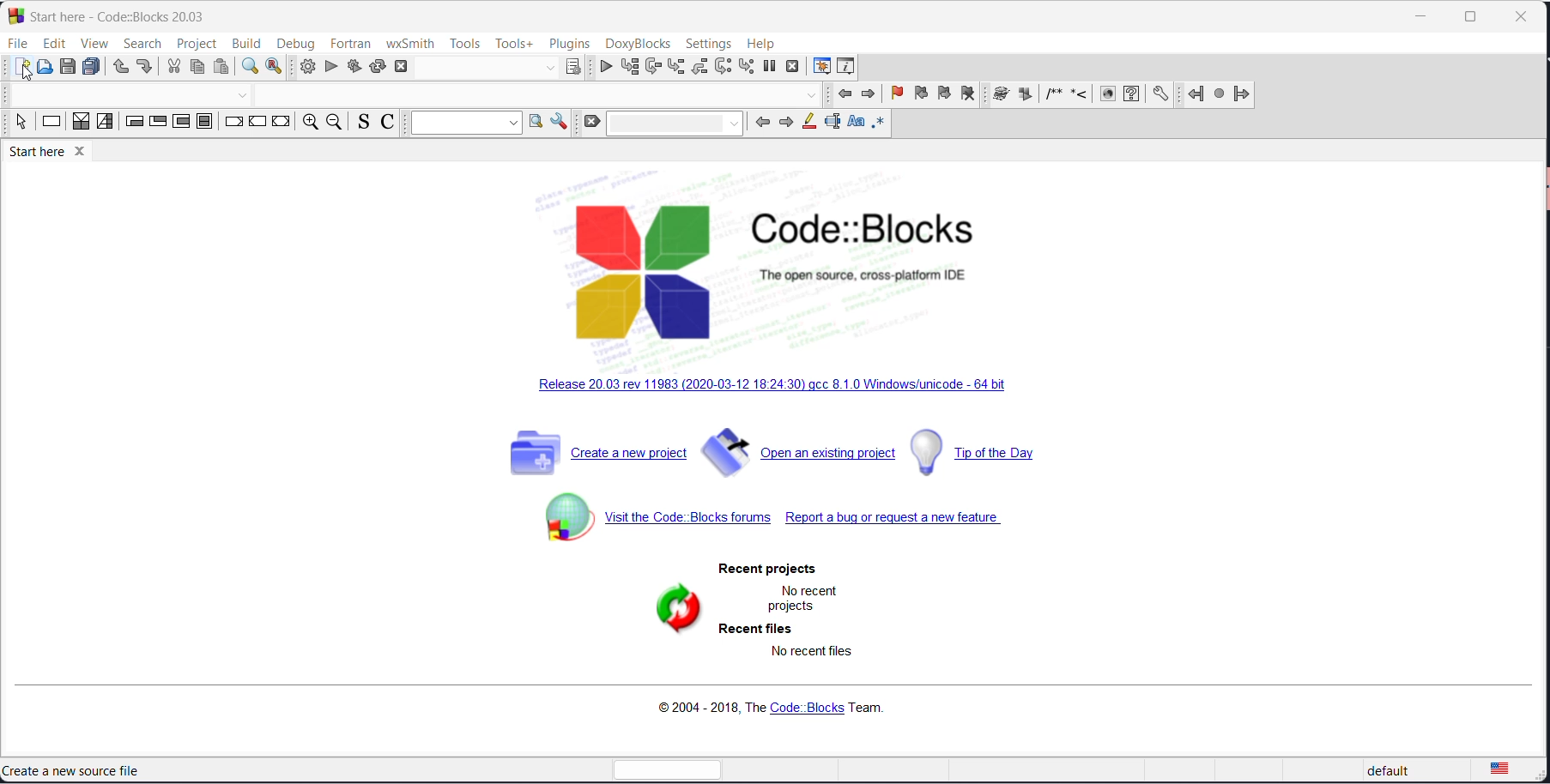 Image resolution: width=1550 pixels, height=784 pixels. What do you see at coordinates (896, 518) in the screenshot?
I see `Report a bug or request a new feature` at bounding box center [896, 518].